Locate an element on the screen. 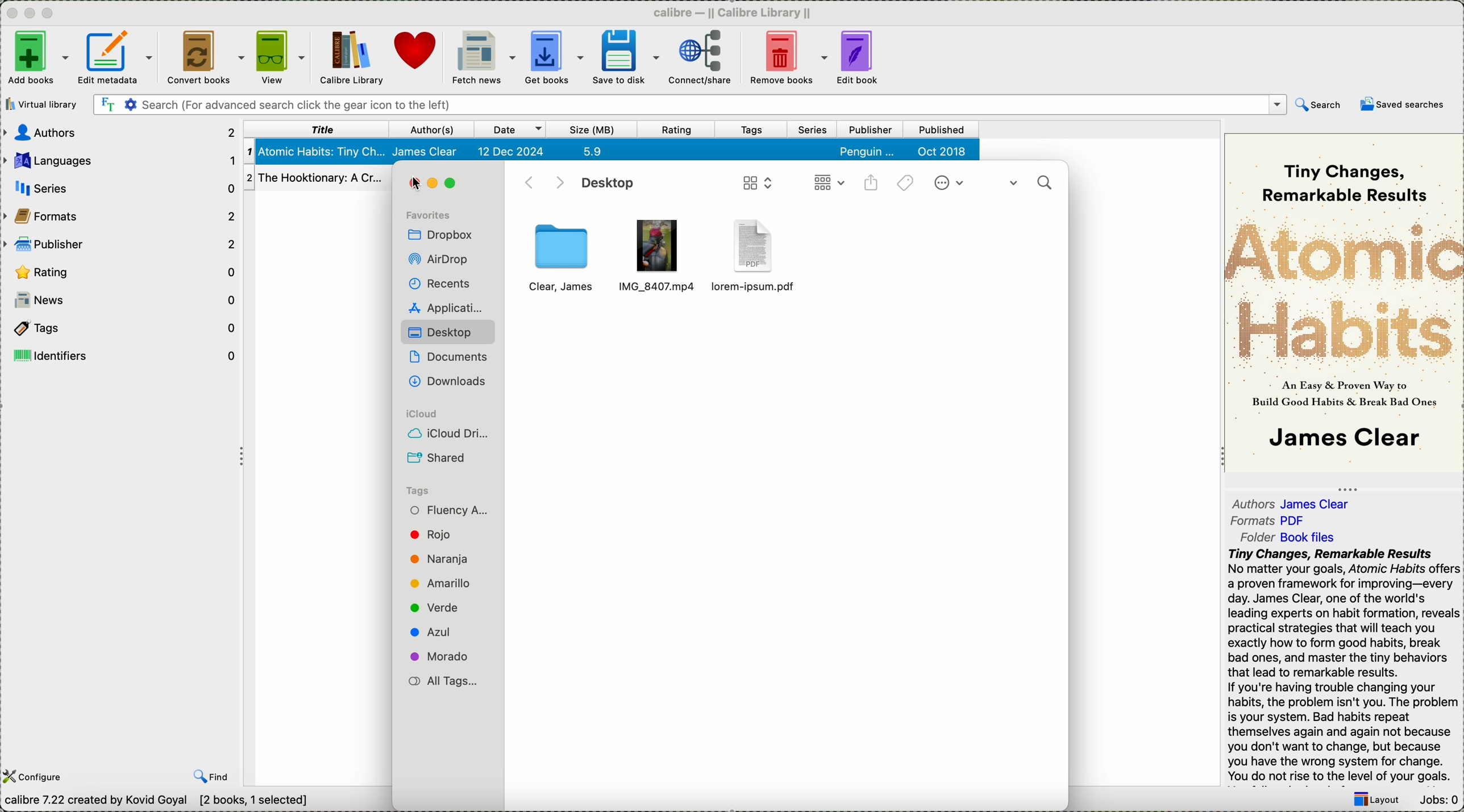 This screenshot has height=812, width=1464. tags is located at coordinates (906, 184).